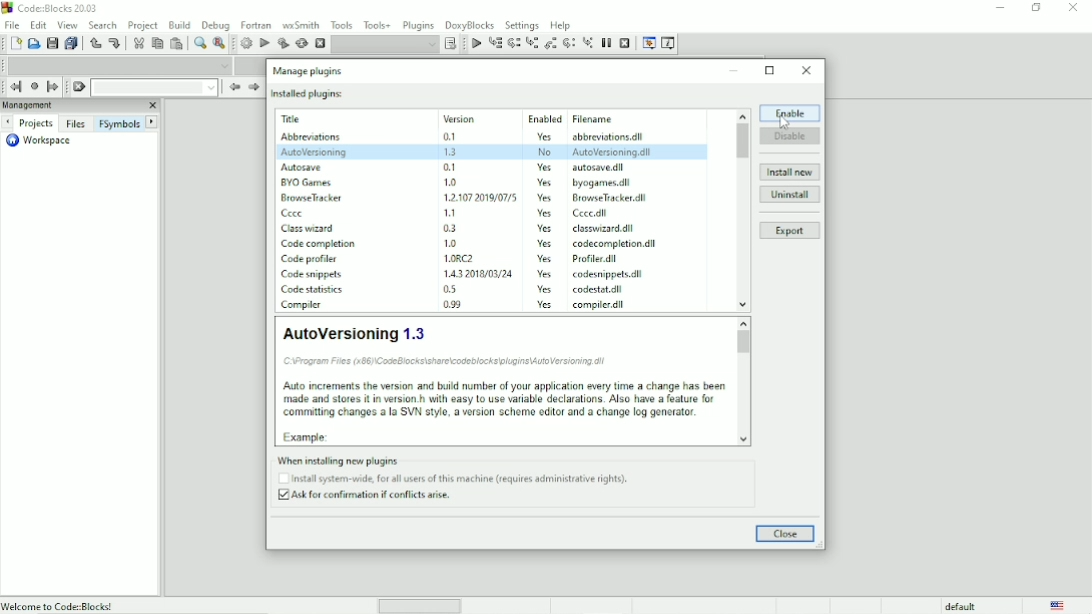 The height and width of the screenshot is (614, 1092). I want to click on yes, so click(544, 182).